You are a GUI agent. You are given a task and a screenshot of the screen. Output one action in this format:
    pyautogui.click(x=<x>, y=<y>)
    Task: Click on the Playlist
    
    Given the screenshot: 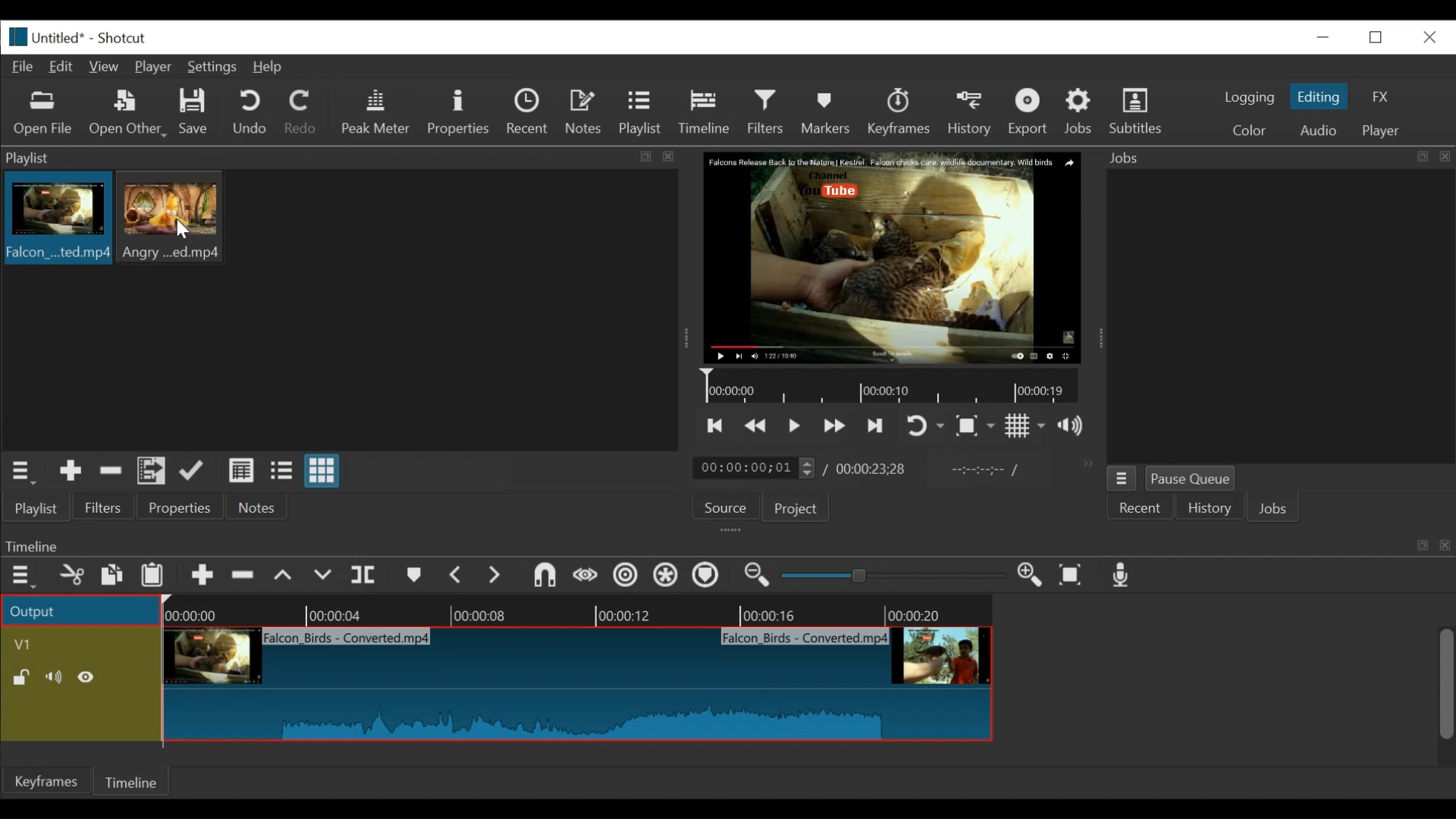 What is the action you would take?
    pyautogui.click(x=641, y=114)
    